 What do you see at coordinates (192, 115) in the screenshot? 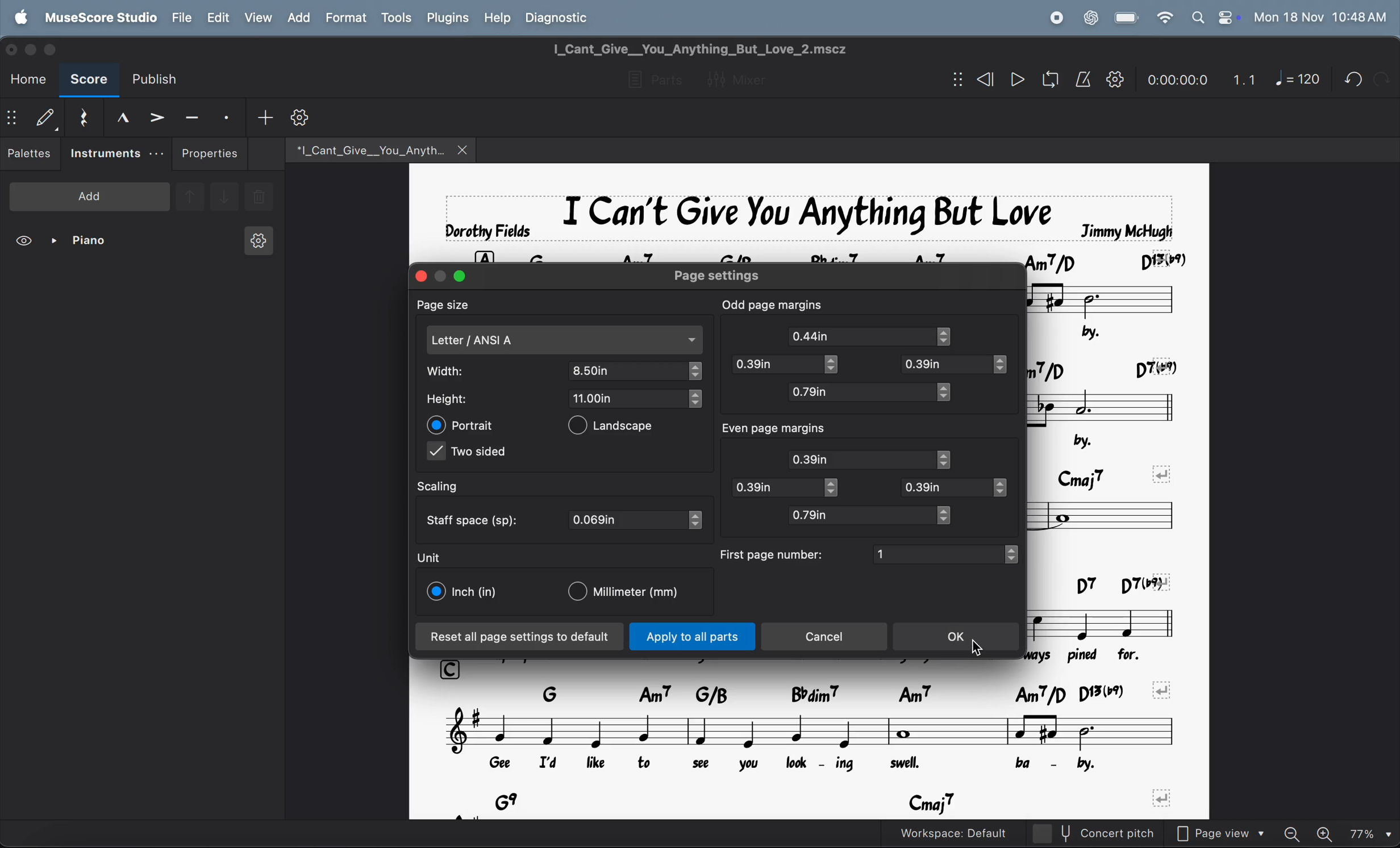
I see `tenuto` at bounding box center [192, 115].